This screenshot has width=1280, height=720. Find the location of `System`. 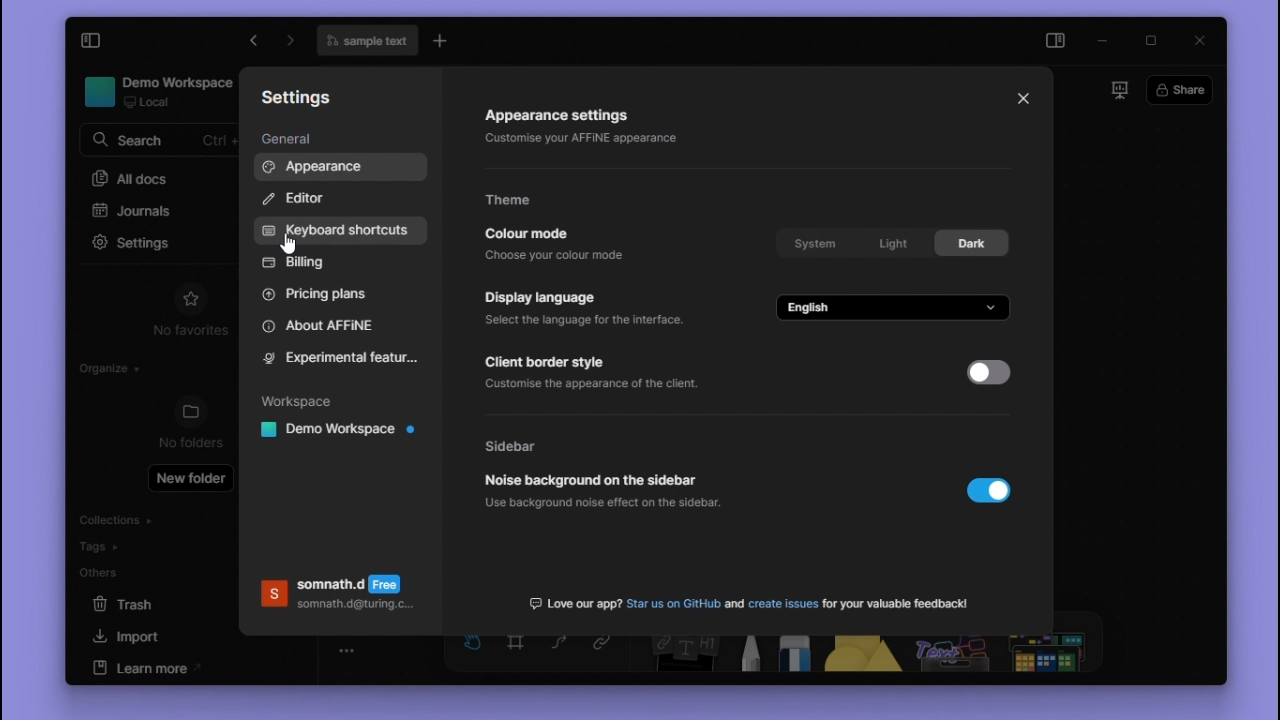

System is located at coordinates (815, 243).